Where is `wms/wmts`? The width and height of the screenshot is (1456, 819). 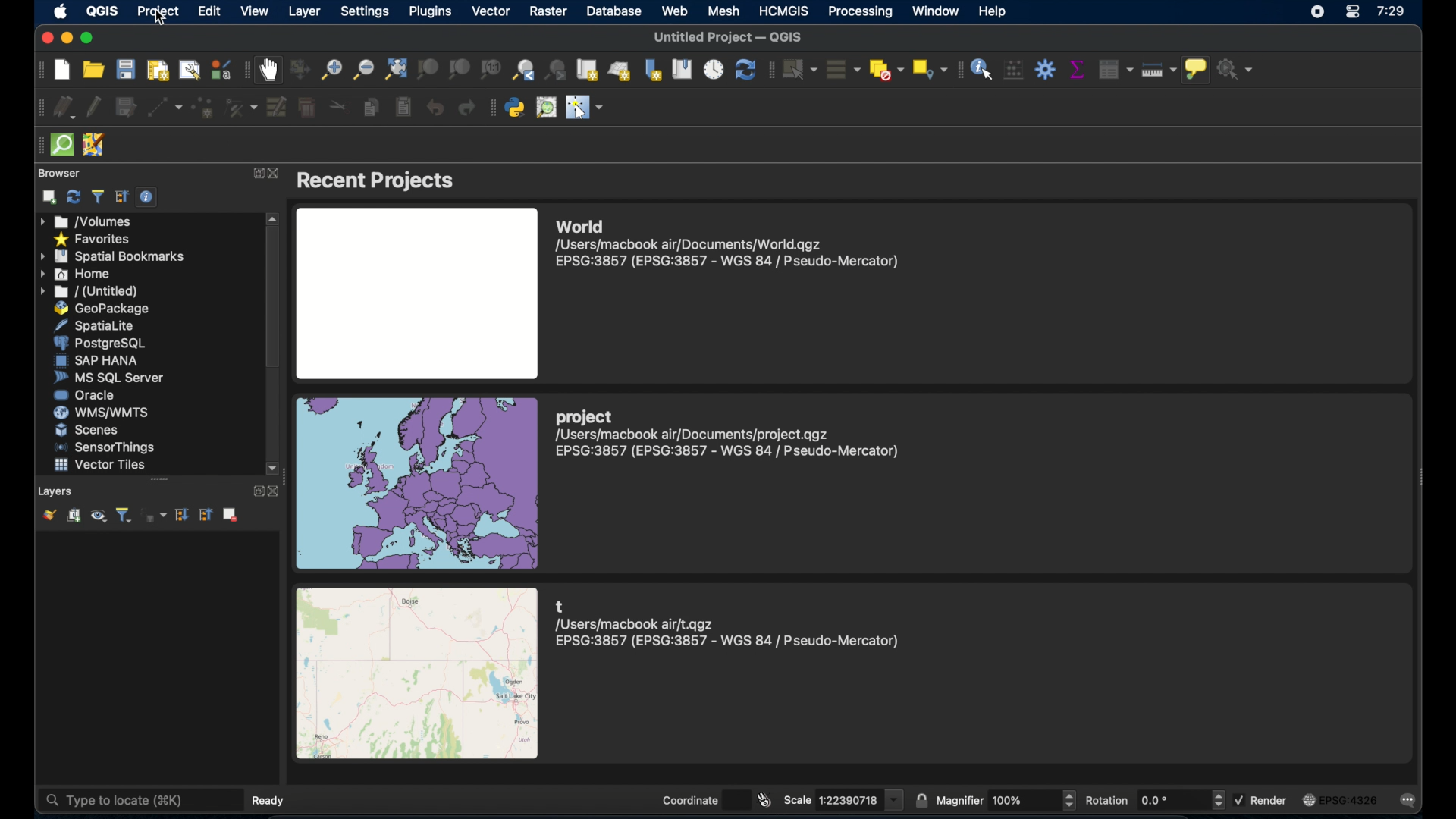 wms/wmts is located at coordinates (101, 412).